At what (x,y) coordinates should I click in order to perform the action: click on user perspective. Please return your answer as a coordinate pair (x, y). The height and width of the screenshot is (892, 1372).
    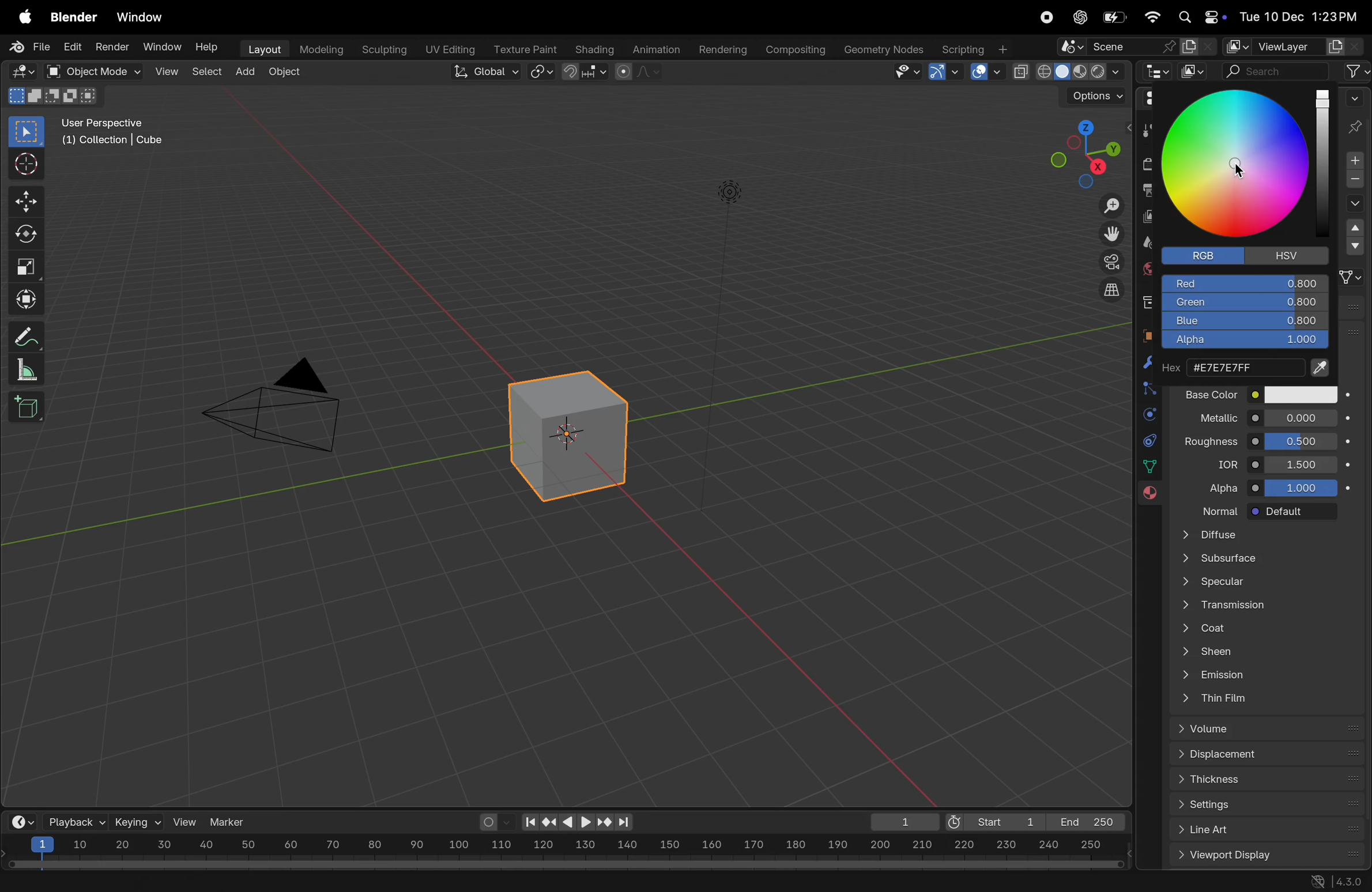
    Looking at the image, I should click on (119, 131).